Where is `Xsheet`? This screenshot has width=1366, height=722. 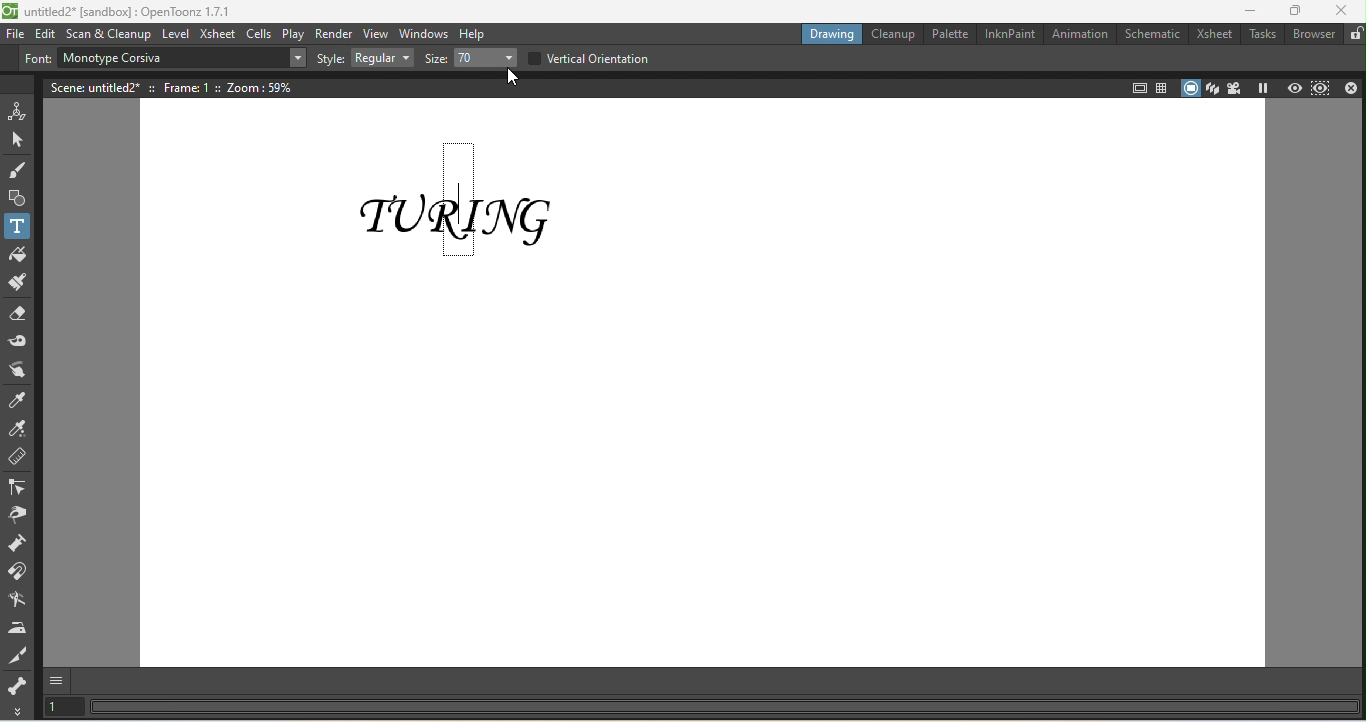
Xsheet is located at coordinates (1215, 34).